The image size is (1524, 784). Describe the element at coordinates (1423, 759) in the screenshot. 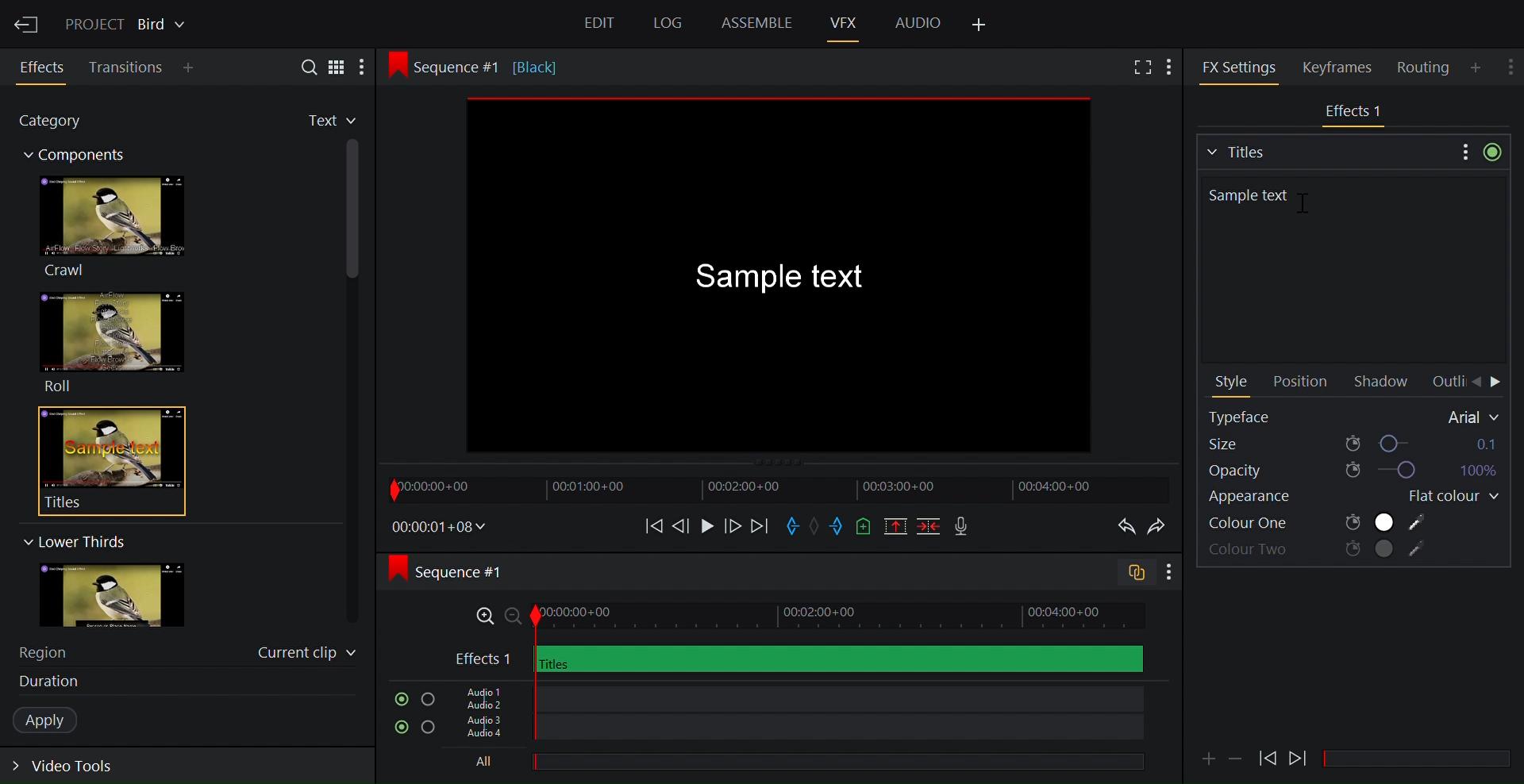

I see `Scrollbar` at that location.